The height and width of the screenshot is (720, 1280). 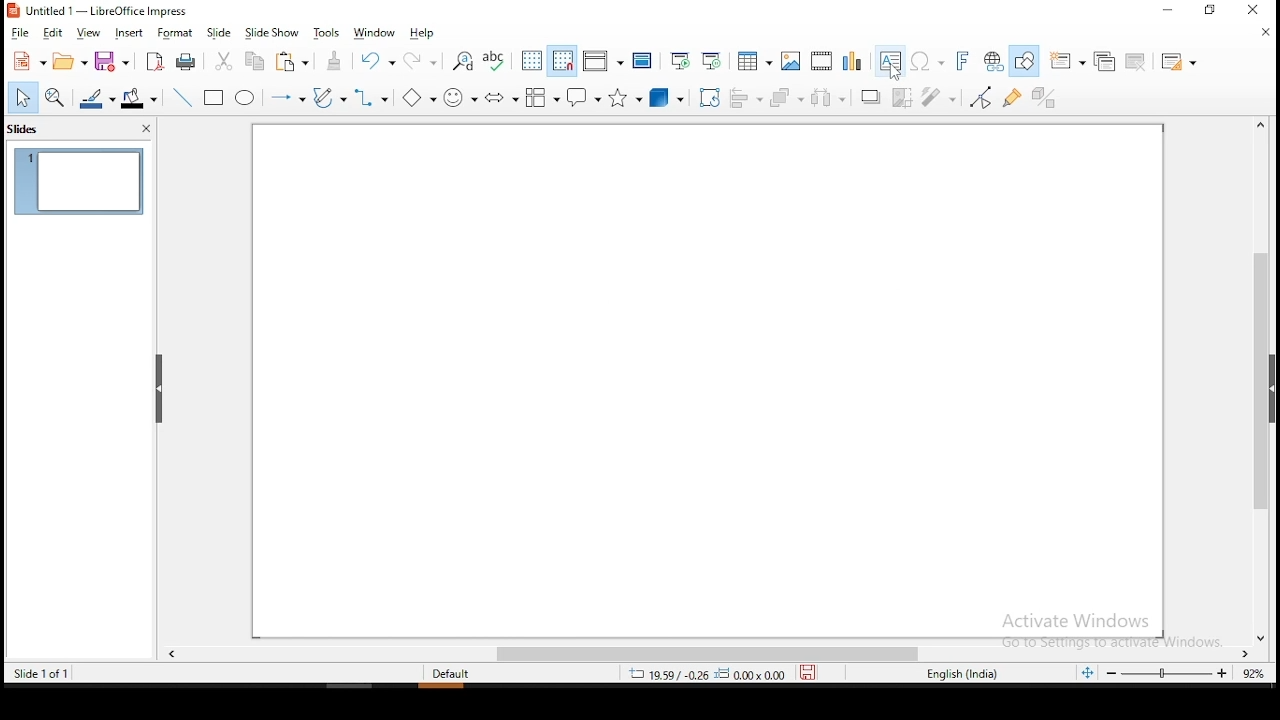 I want to click on format, so click(x=177, y=31).